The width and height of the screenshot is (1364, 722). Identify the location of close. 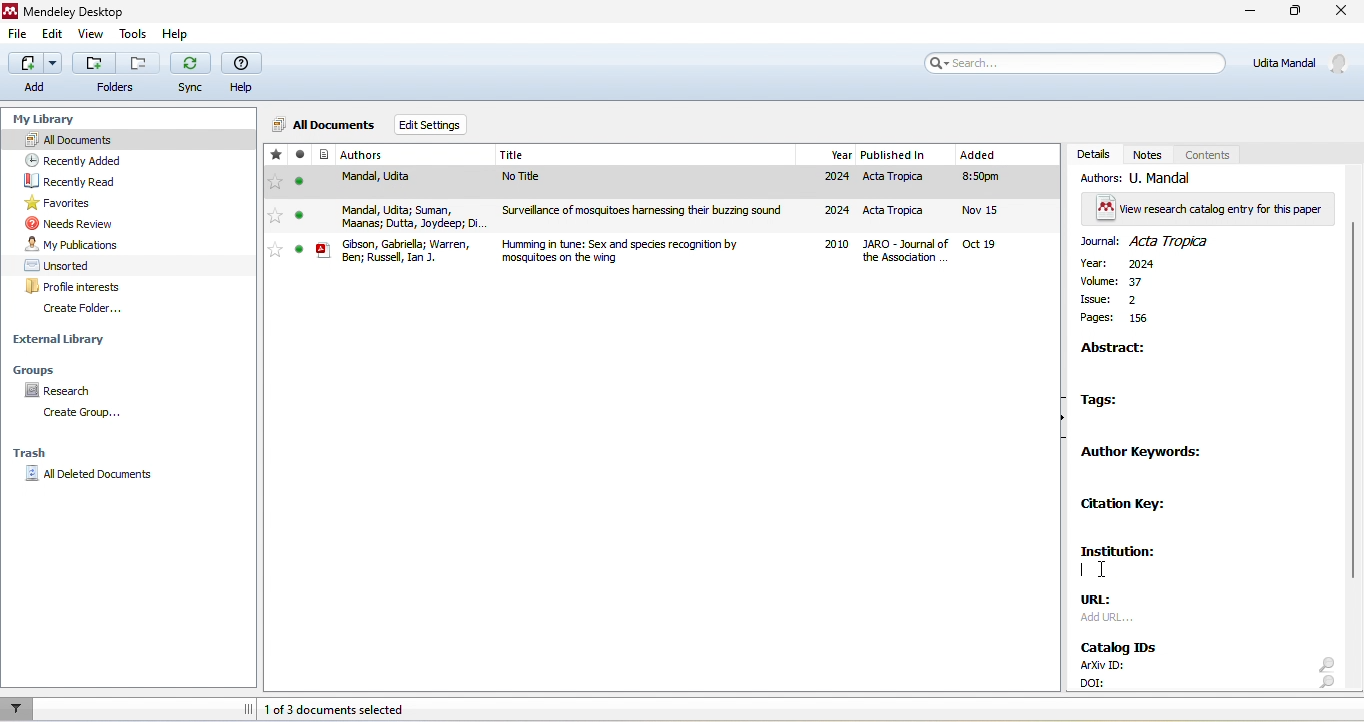
(1340, 12).